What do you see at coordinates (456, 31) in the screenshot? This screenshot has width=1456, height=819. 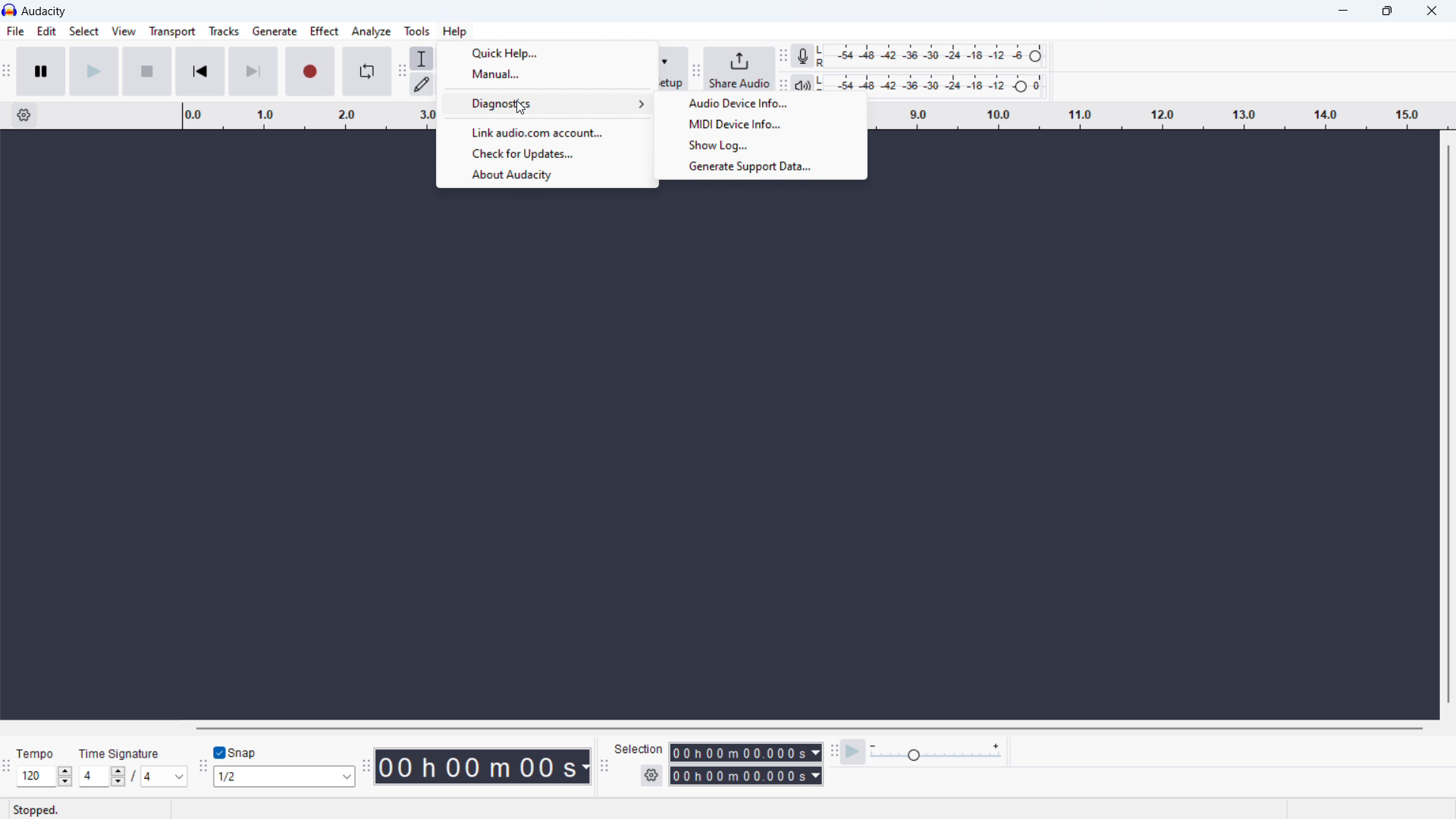 I see `Cursor on help` at bounding box center [456, 31].